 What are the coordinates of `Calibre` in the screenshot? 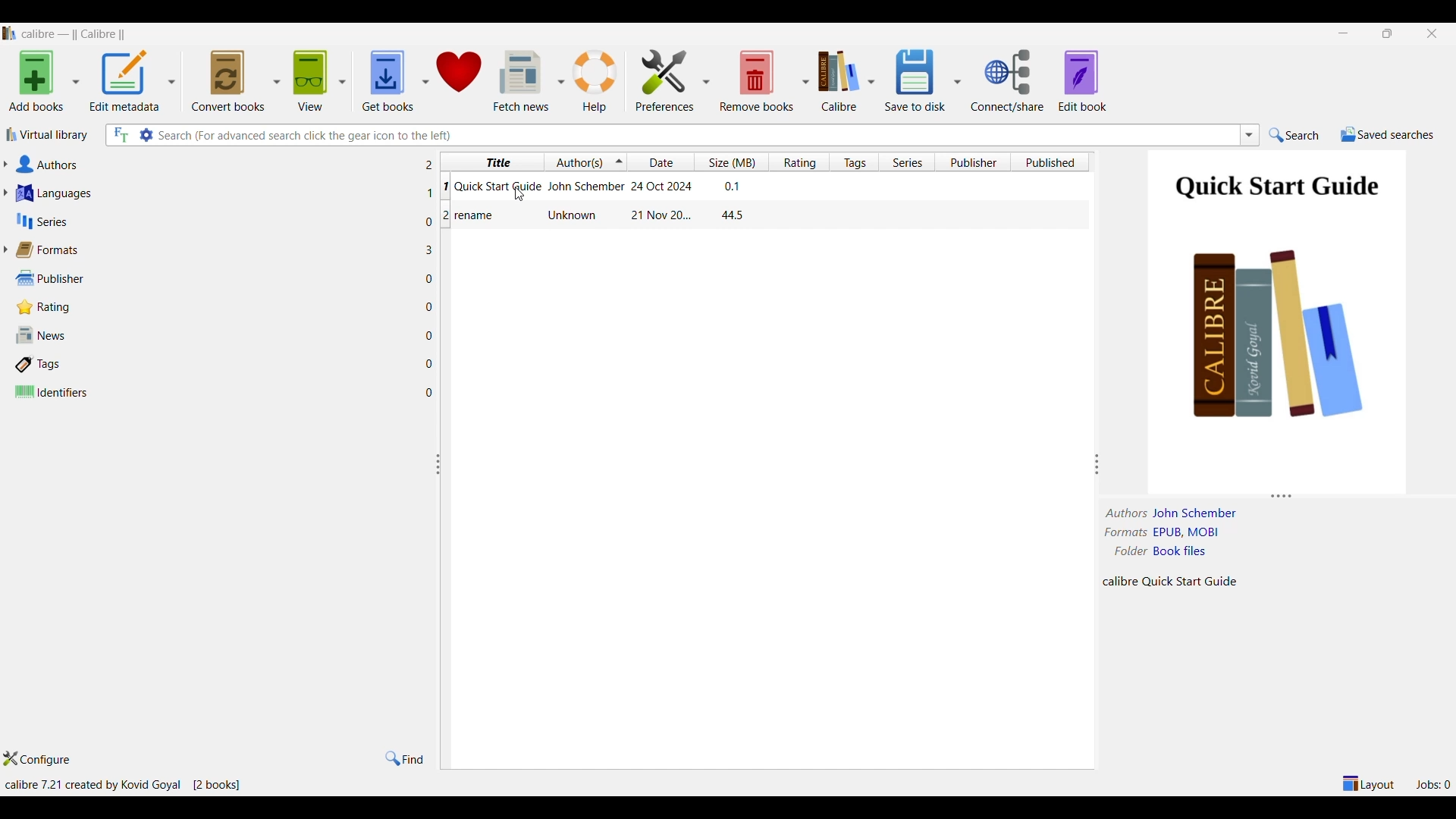 It's located at (838, 82).